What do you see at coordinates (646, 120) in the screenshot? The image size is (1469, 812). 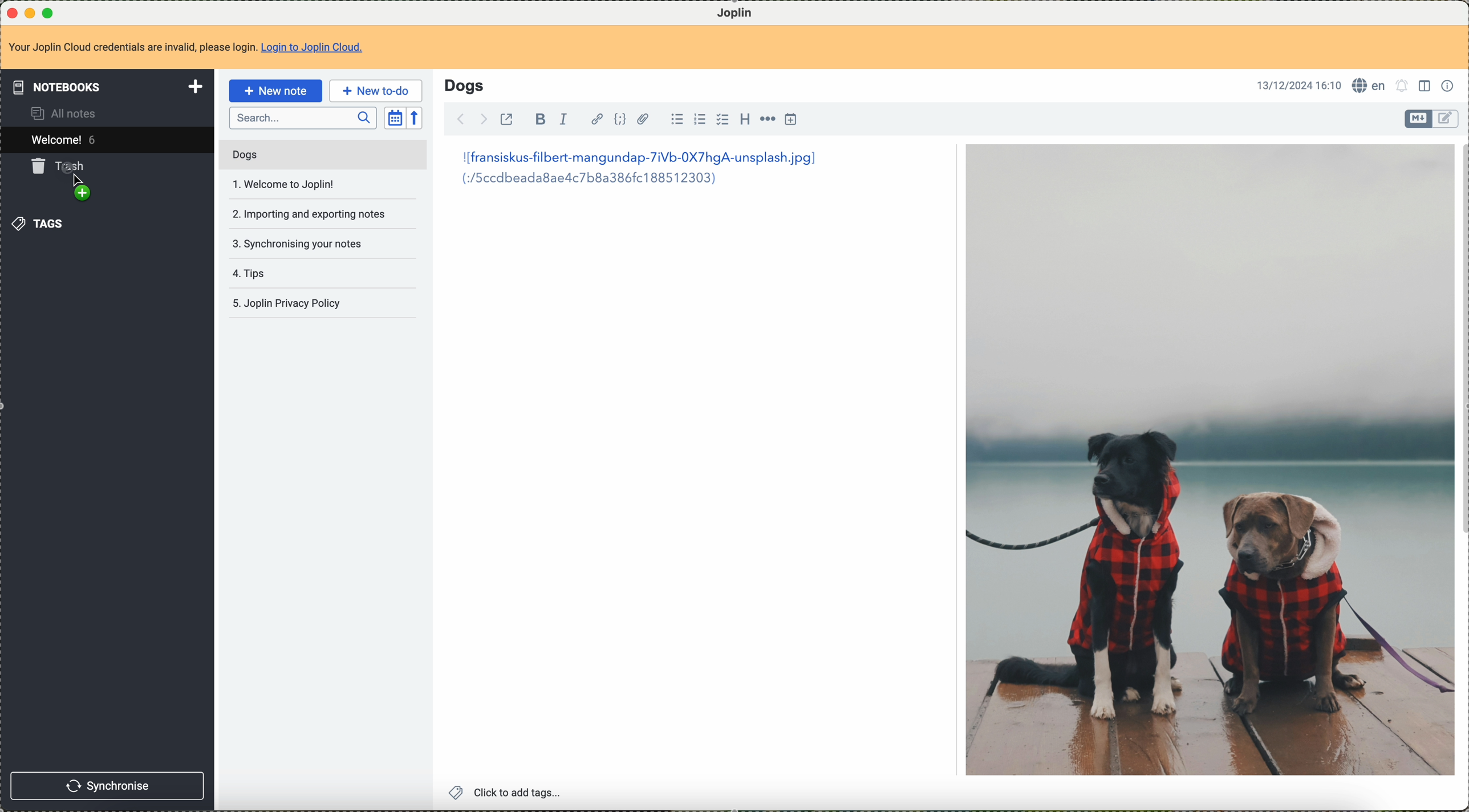 I see `attach file` at bounding box center [646, 120].